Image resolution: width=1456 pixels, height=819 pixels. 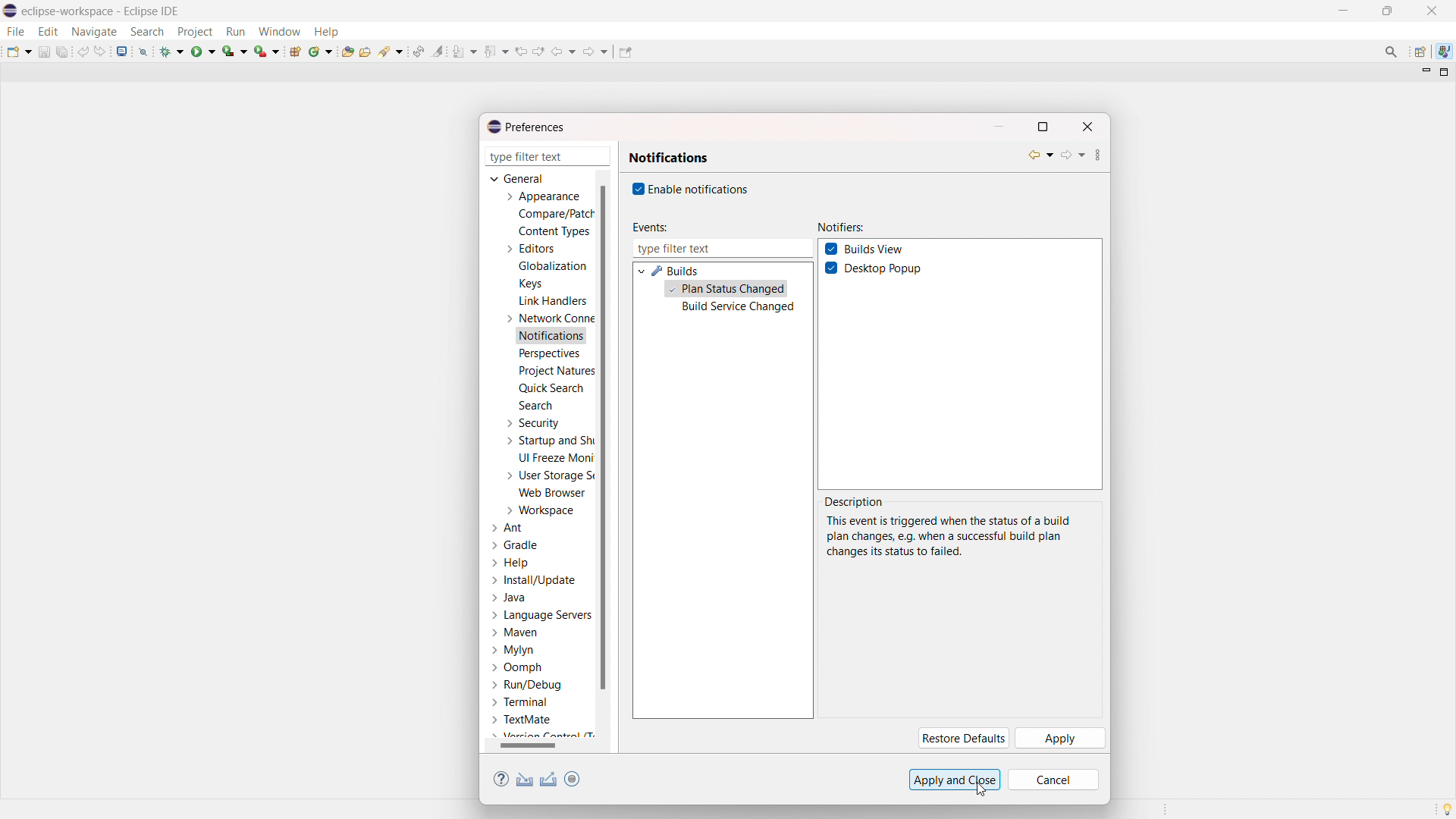 I want to click on close dialogbox, so click(x=1087, y=127).